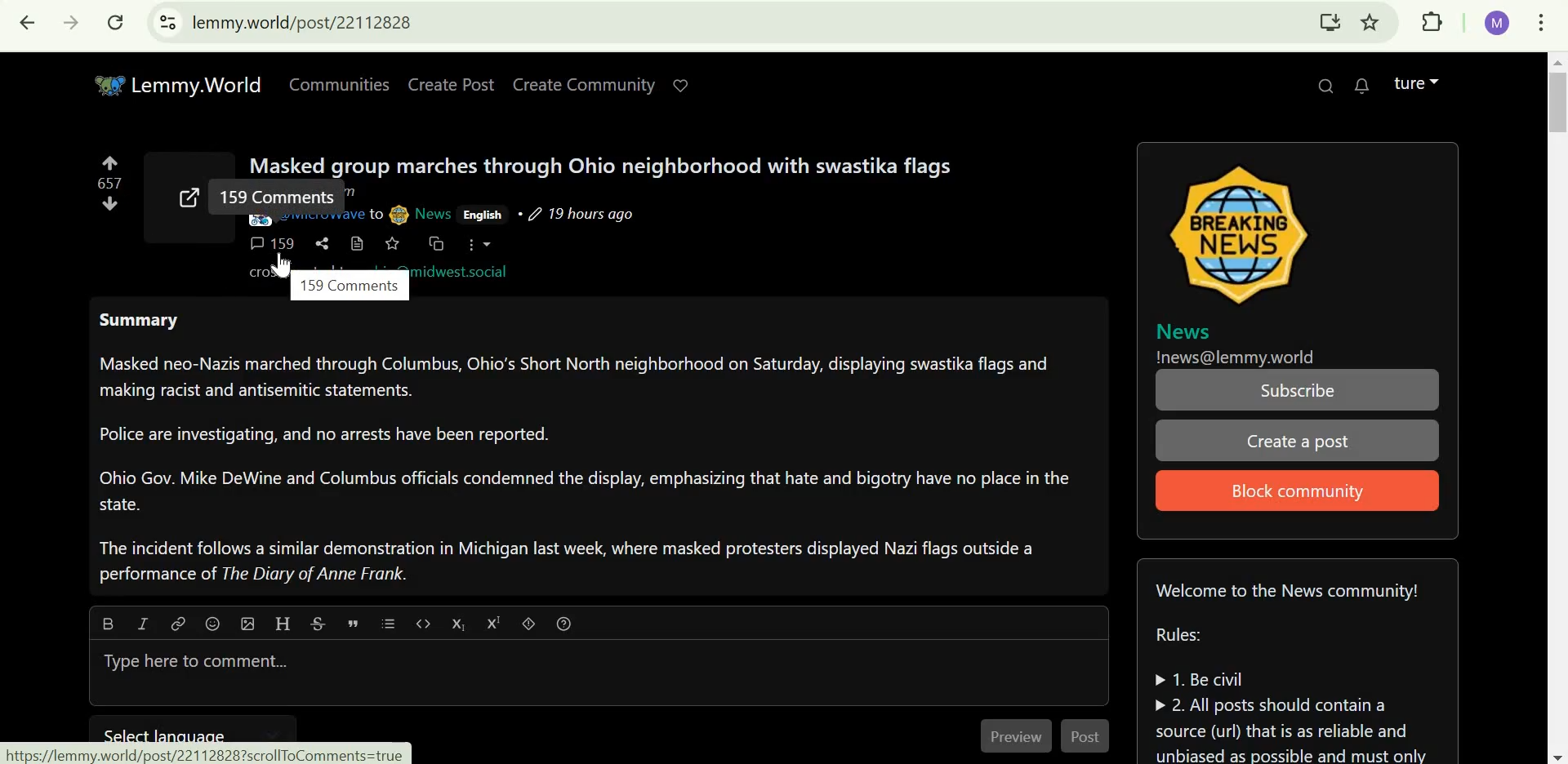  I want to click on cursor, so click(282, 265).